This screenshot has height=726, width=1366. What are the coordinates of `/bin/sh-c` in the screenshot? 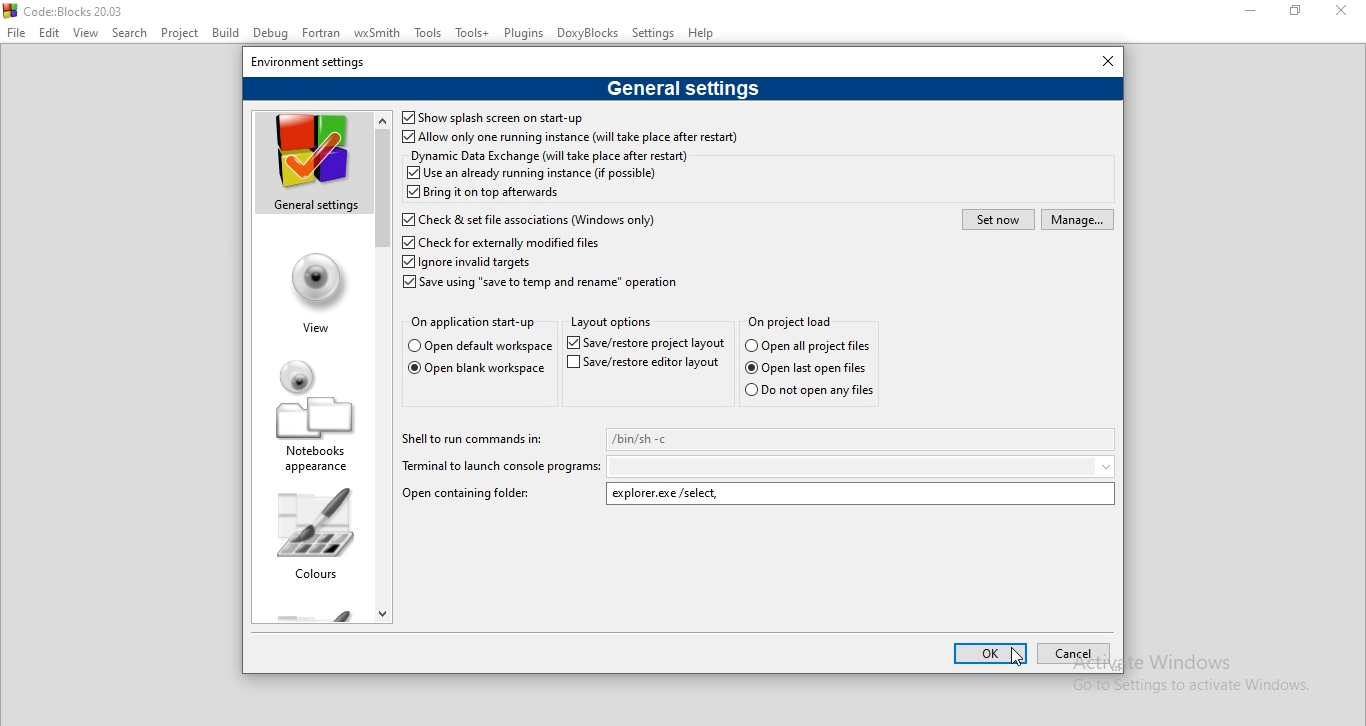 It's located at (862, 439).